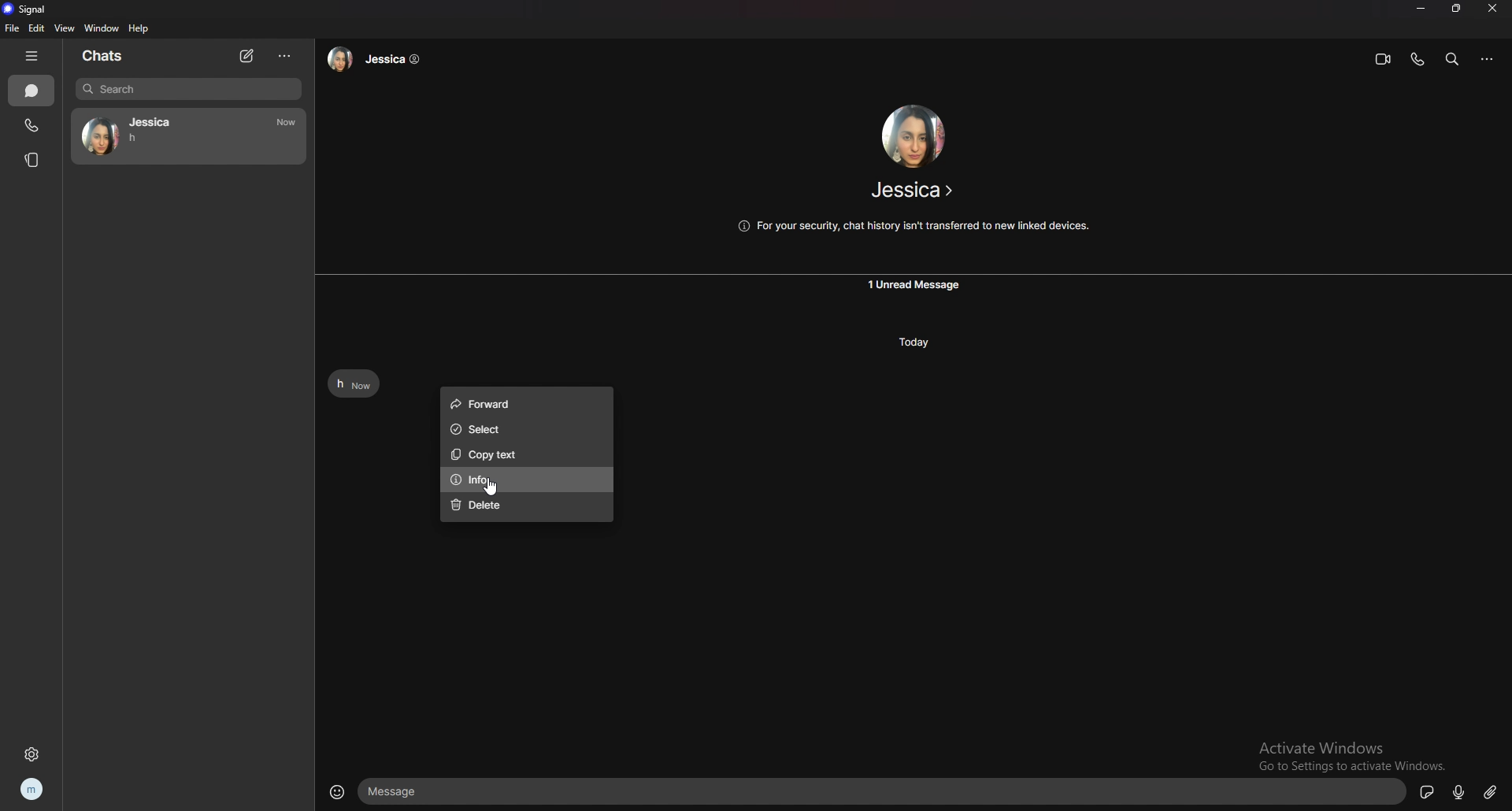 This screenshot has width=1512, height=811. Describe the element at coordinates (26, 9) in the screenshot. I see `signal` at that location.